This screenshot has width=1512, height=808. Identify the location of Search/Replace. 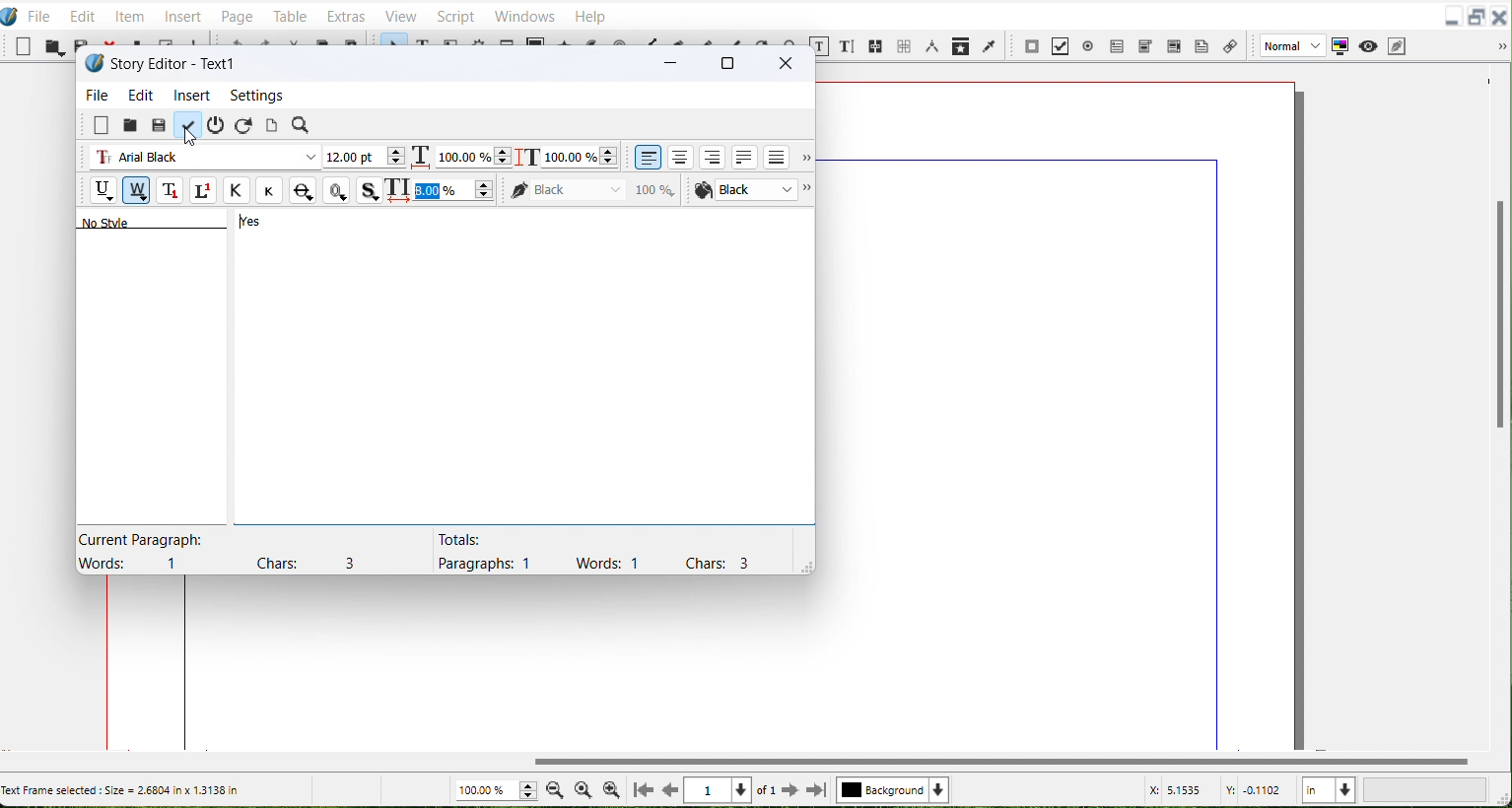
(303, 124).